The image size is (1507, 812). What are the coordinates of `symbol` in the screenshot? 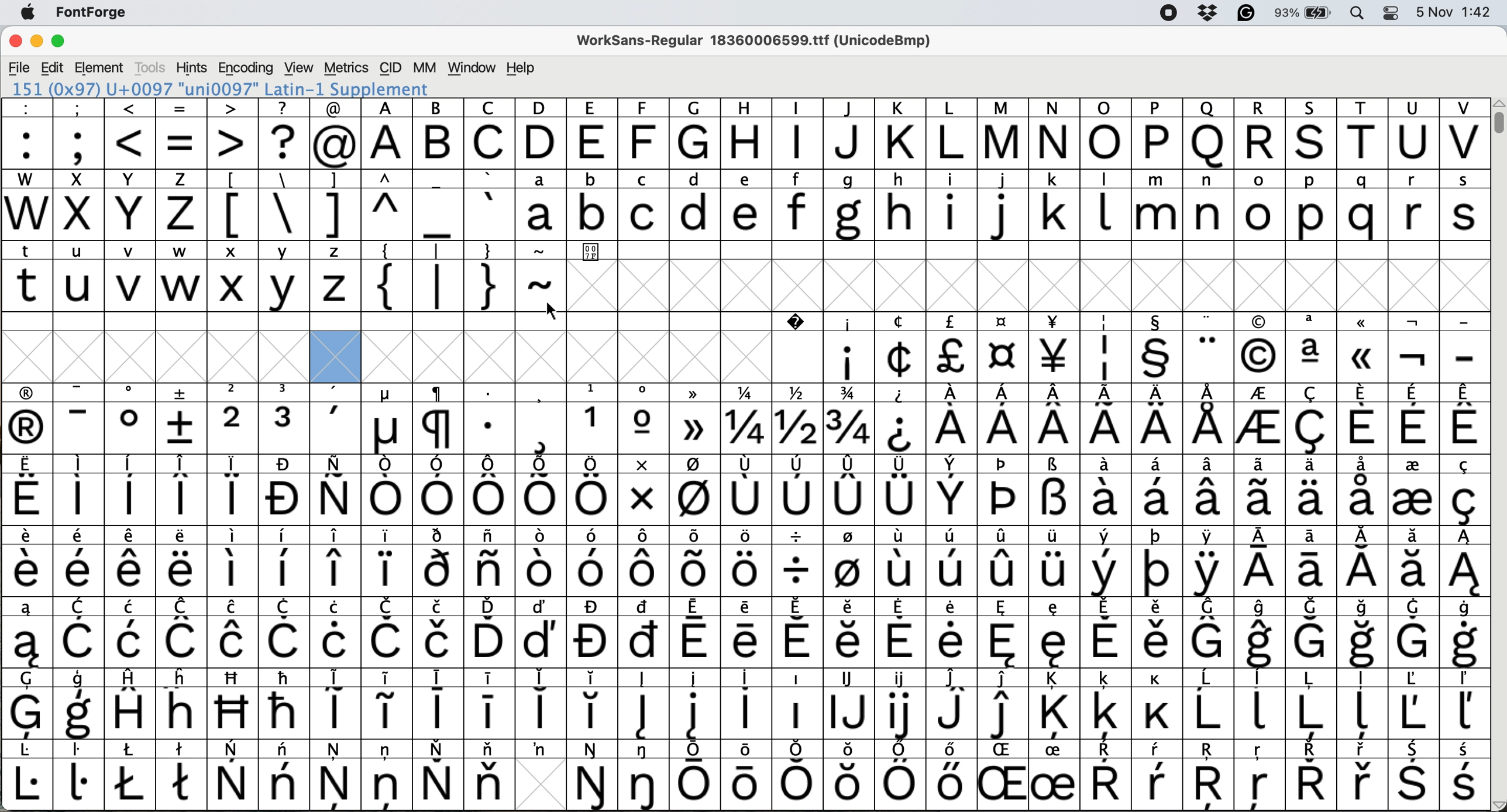 It's located at (593, 562).